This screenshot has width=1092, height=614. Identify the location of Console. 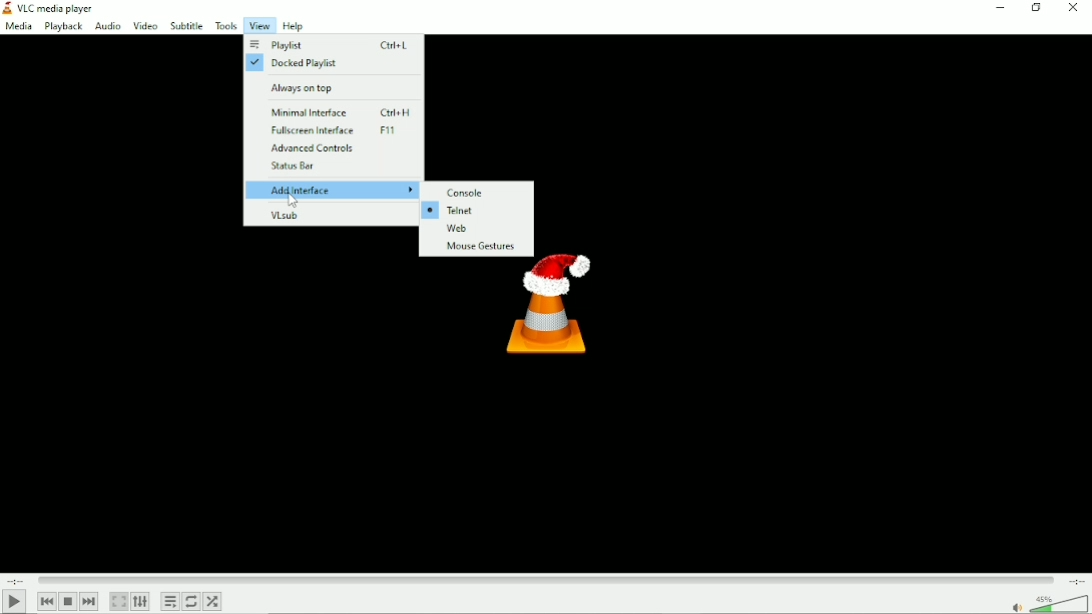
(468, 192).